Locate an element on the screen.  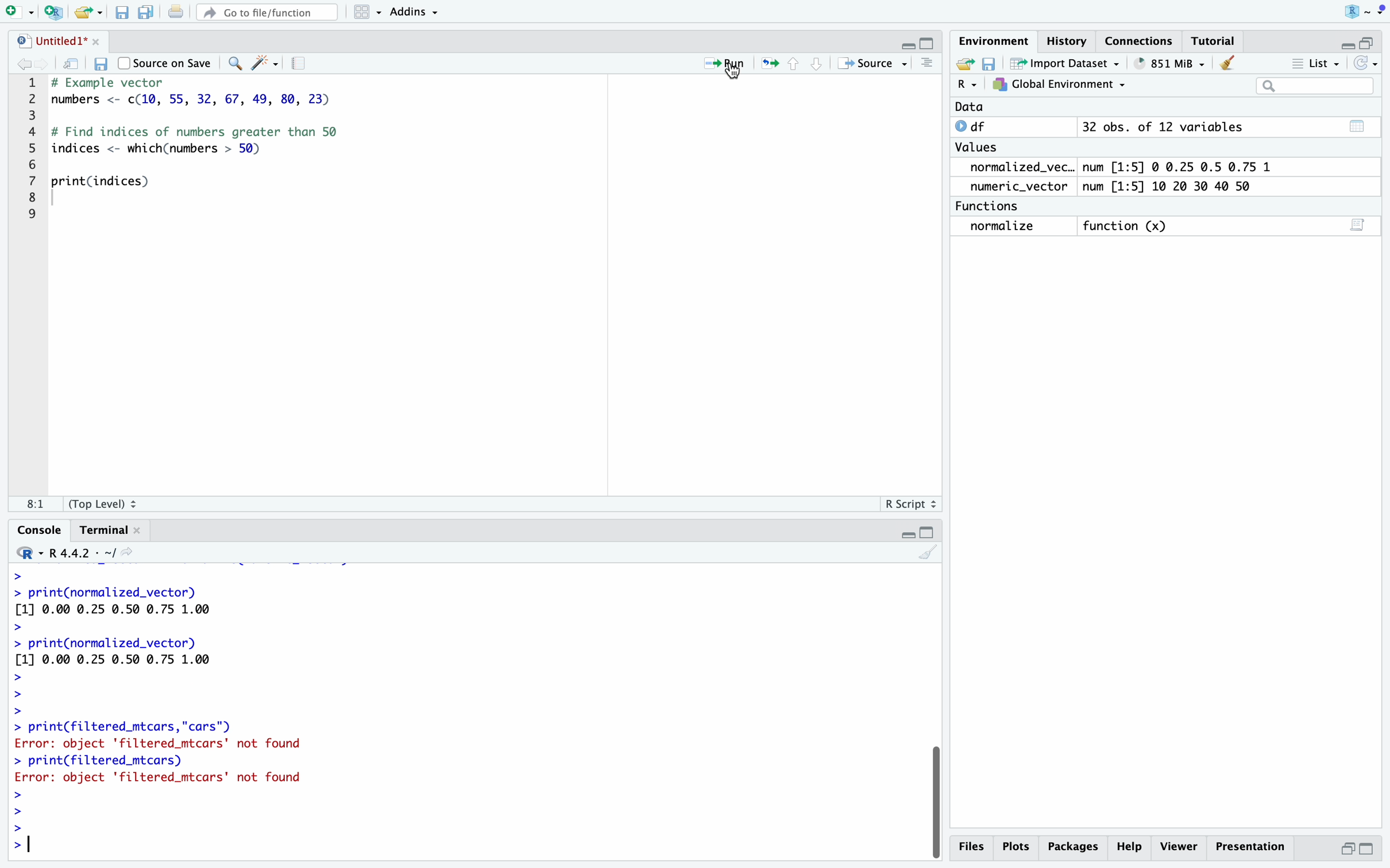
MAXIMISE is located at coordinates (1373, 38).